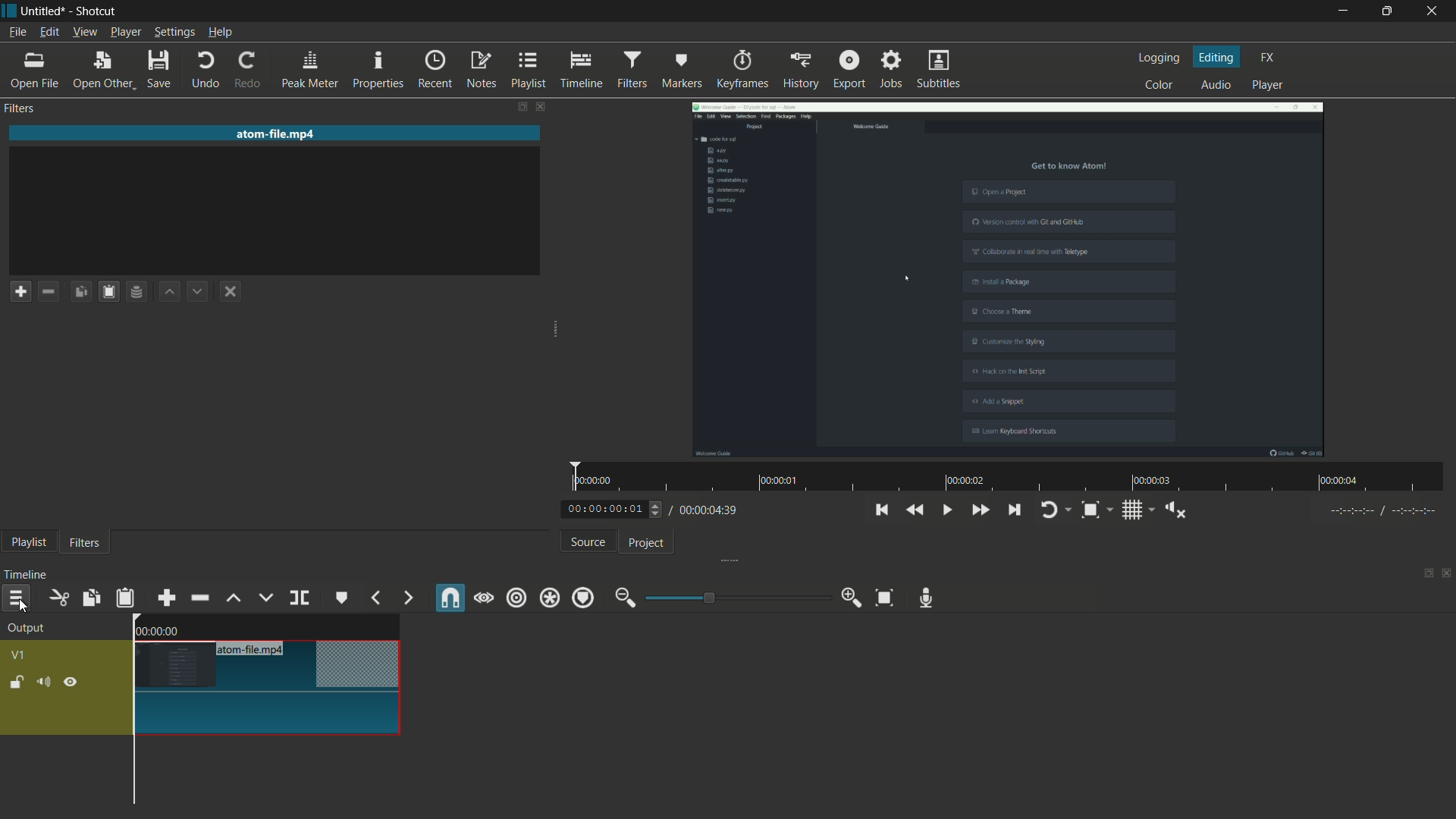 This screenshot has width=1456, height=819. Describe the element at coordinates (301, 598) in the screenshot. I see `split at playhead` at that location.